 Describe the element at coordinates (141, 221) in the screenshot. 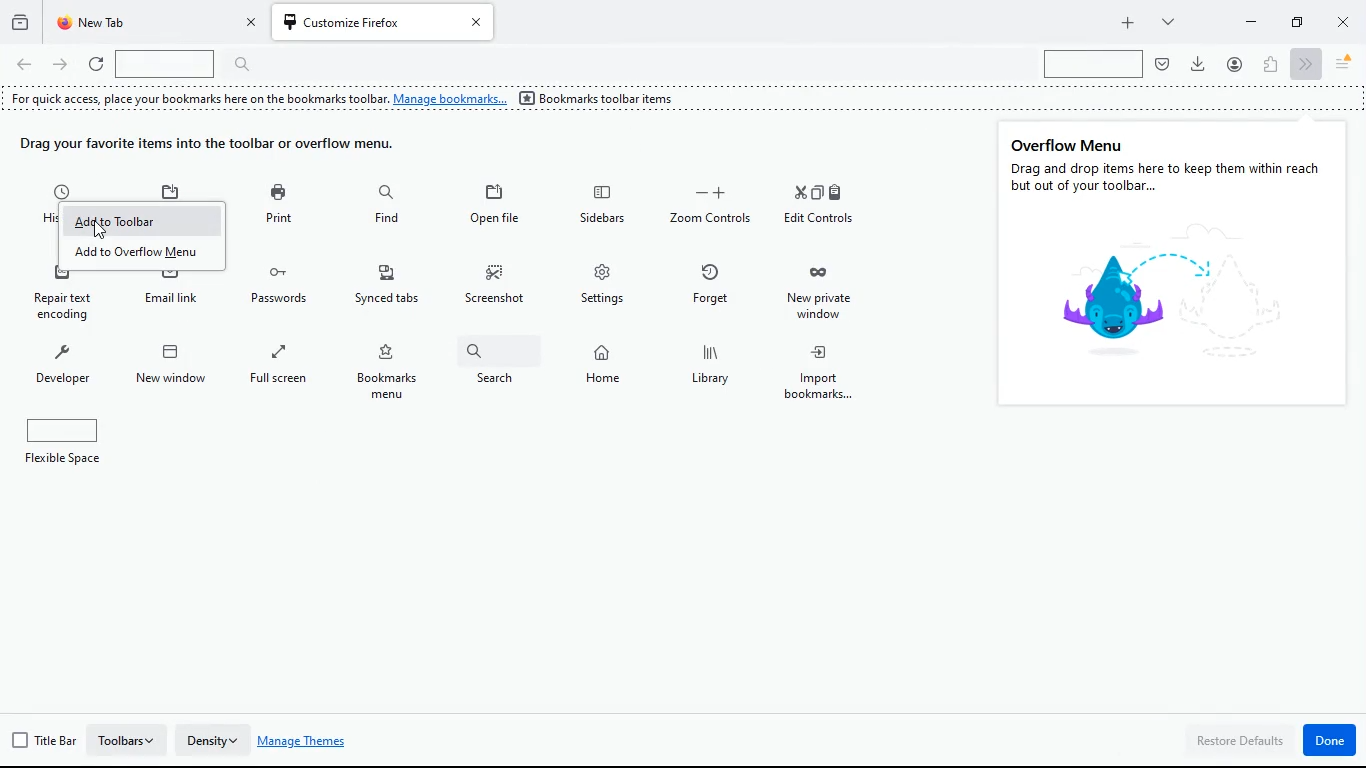

I see `add to toolbar` at that location.